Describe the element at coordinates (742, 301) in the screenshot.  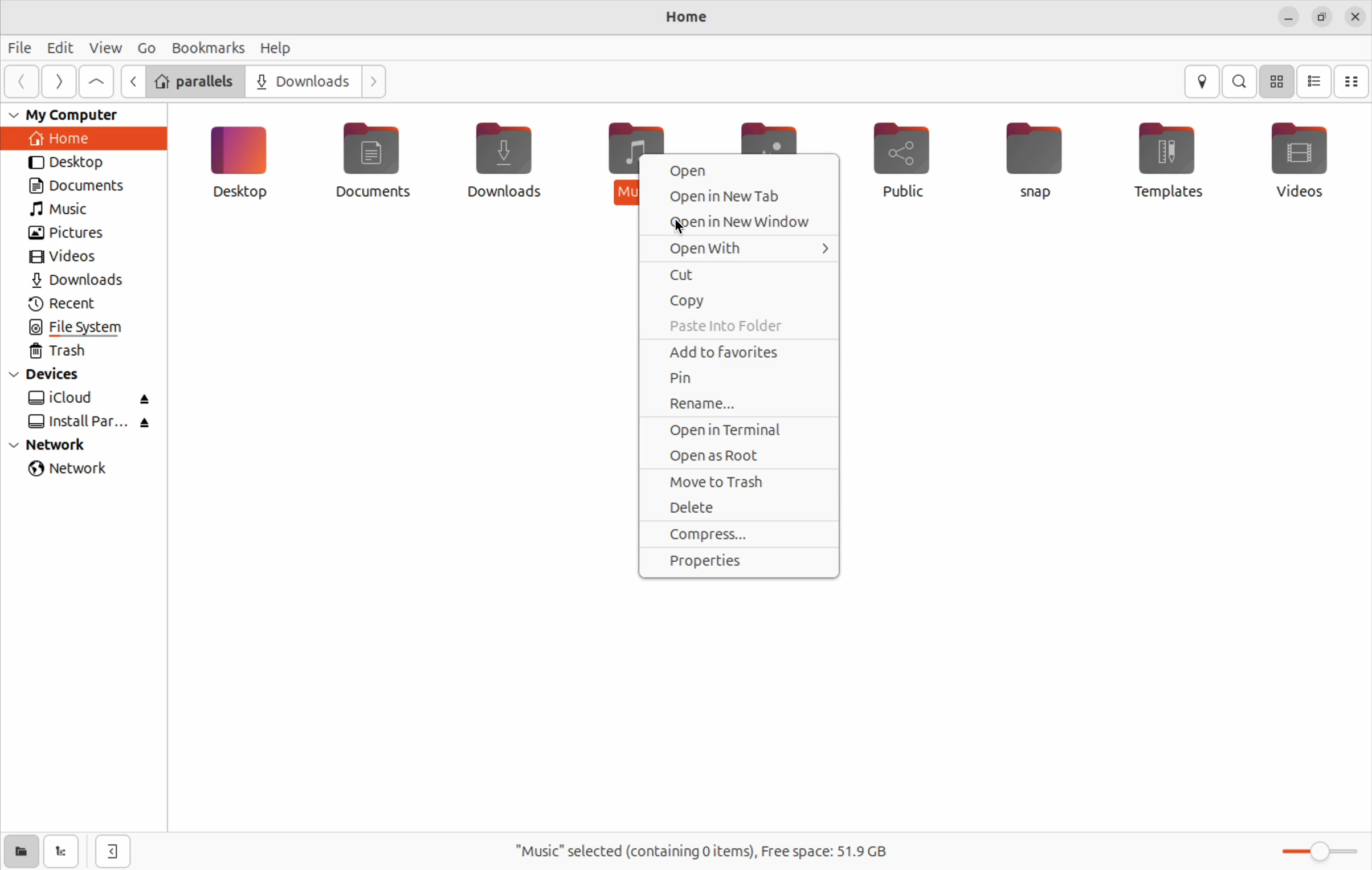
I see `copy` at that location.